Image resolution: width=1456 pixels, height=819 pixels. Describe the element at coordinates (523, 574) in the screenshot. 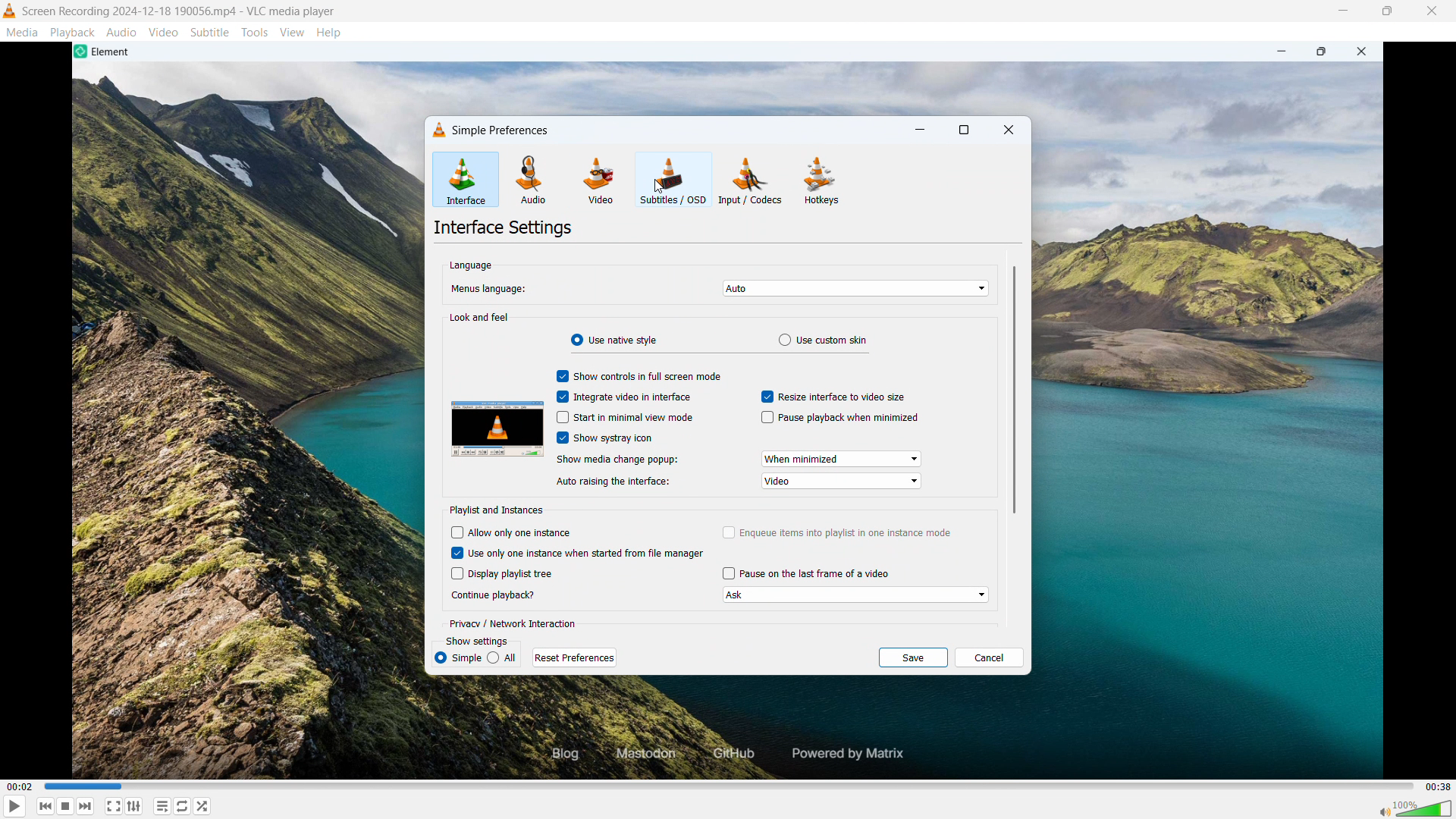

I see `Display playlist tree ` at that location.